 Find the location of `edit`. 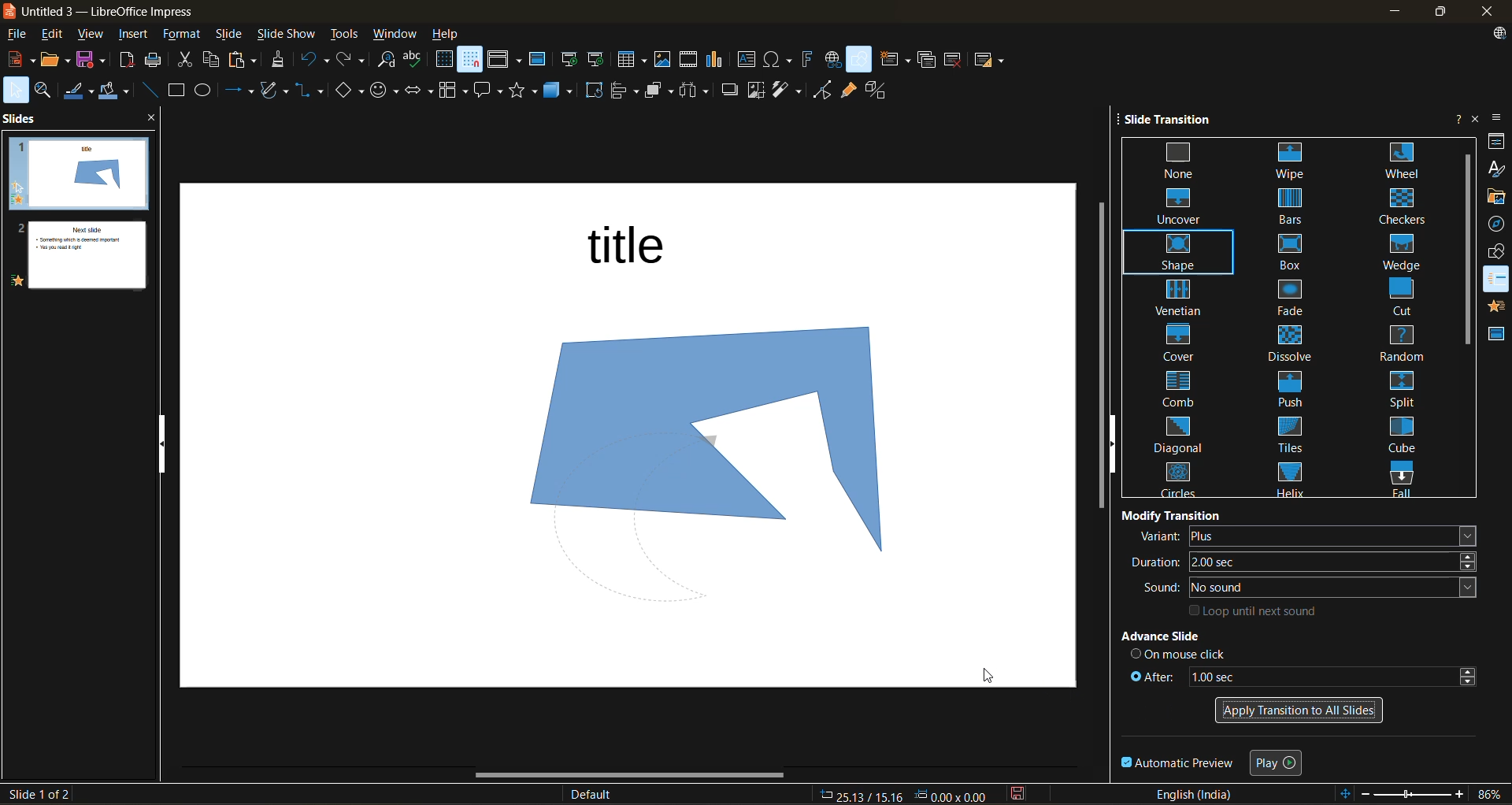

edit is located at coordinates (57, 36).